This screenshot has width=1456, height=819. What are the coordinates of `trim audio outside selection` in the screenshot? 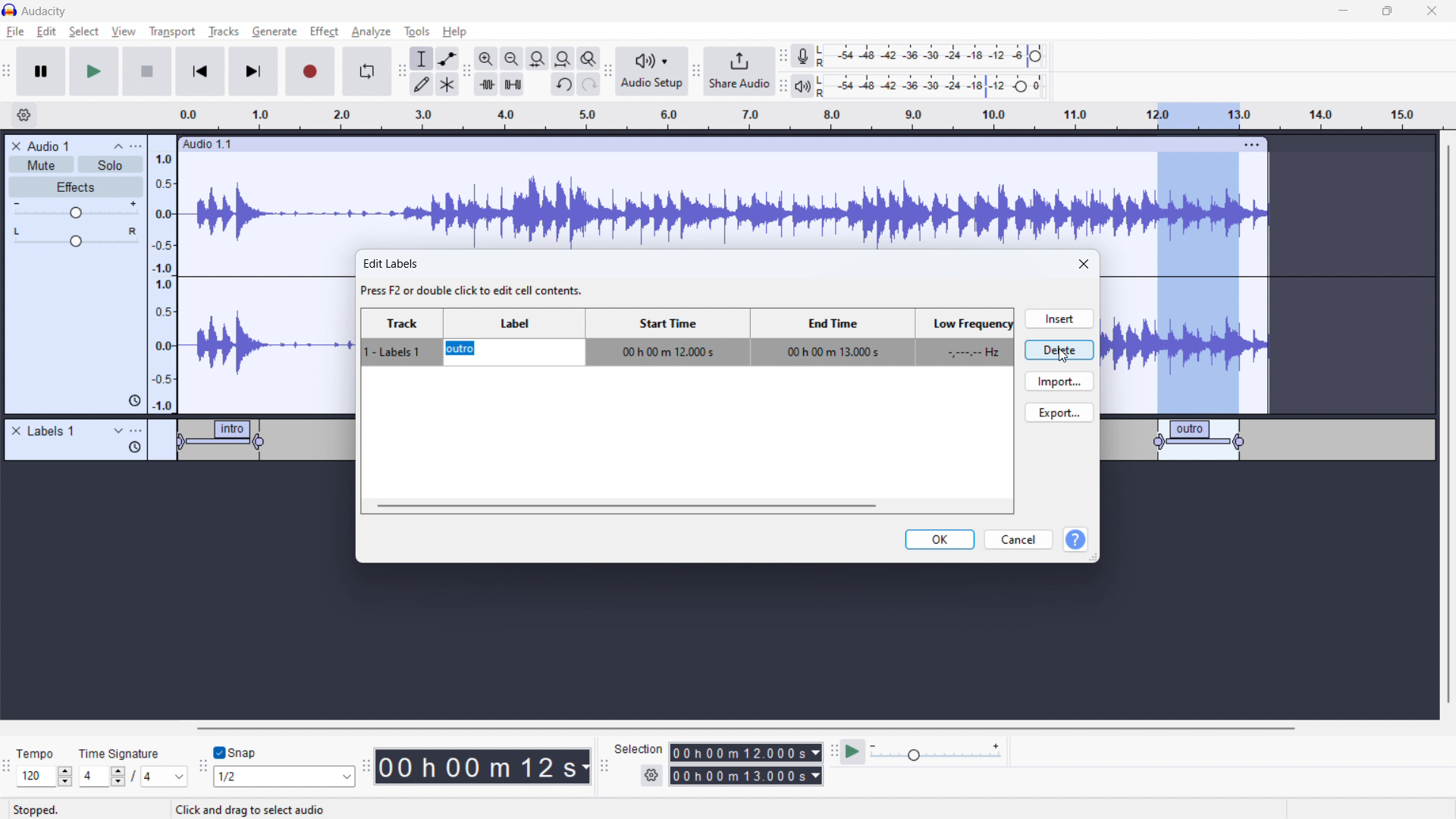 It's located at (487, 83).